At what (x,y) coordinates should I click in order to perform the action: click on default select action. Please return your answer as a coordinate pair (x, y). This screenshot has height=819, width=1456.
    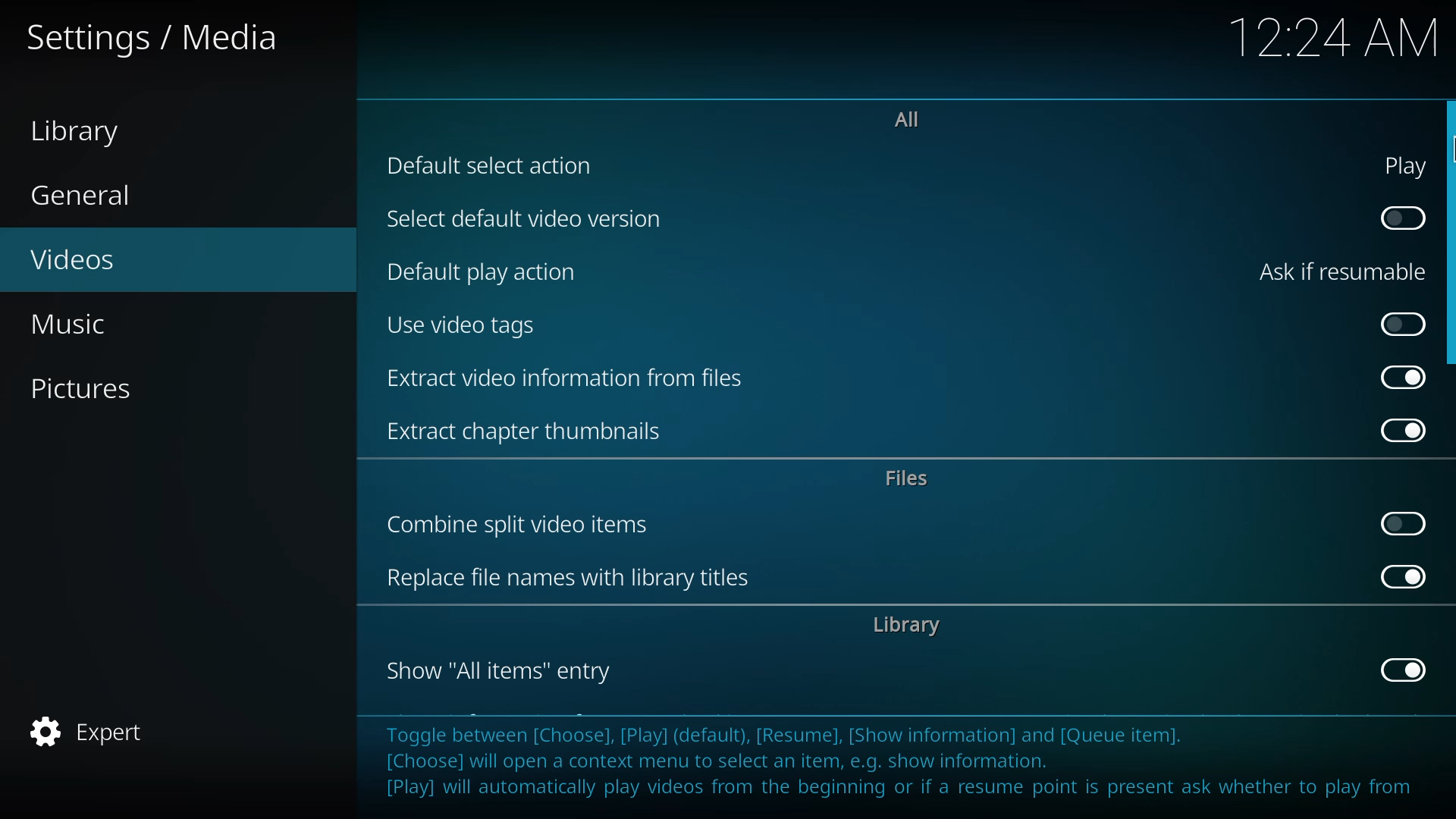
    Looking at the image, I should click on (492, 165).